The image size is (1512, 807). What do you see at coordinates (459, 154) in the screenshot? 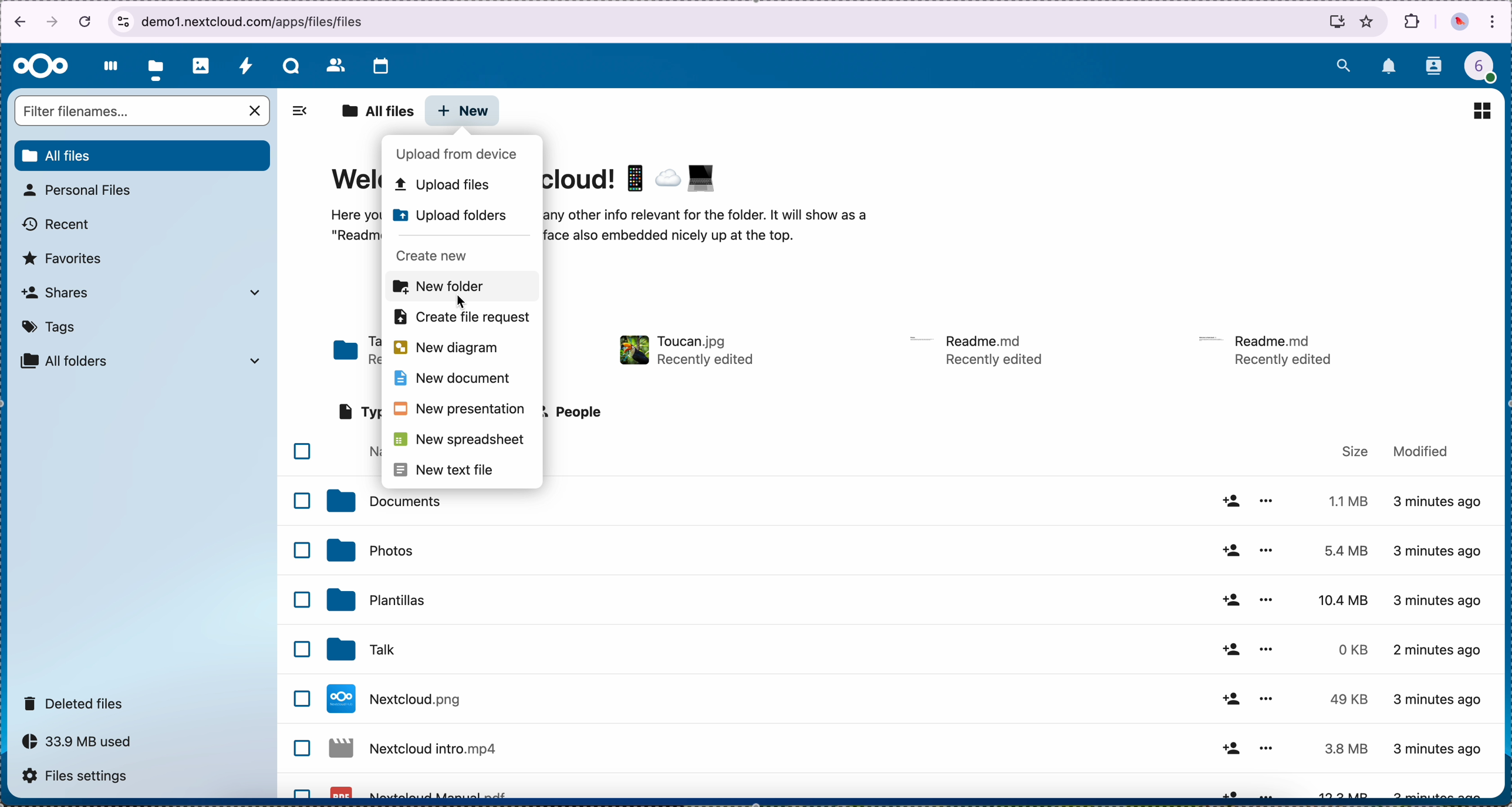
I see `upload from device` at bounding box center [459, 154].